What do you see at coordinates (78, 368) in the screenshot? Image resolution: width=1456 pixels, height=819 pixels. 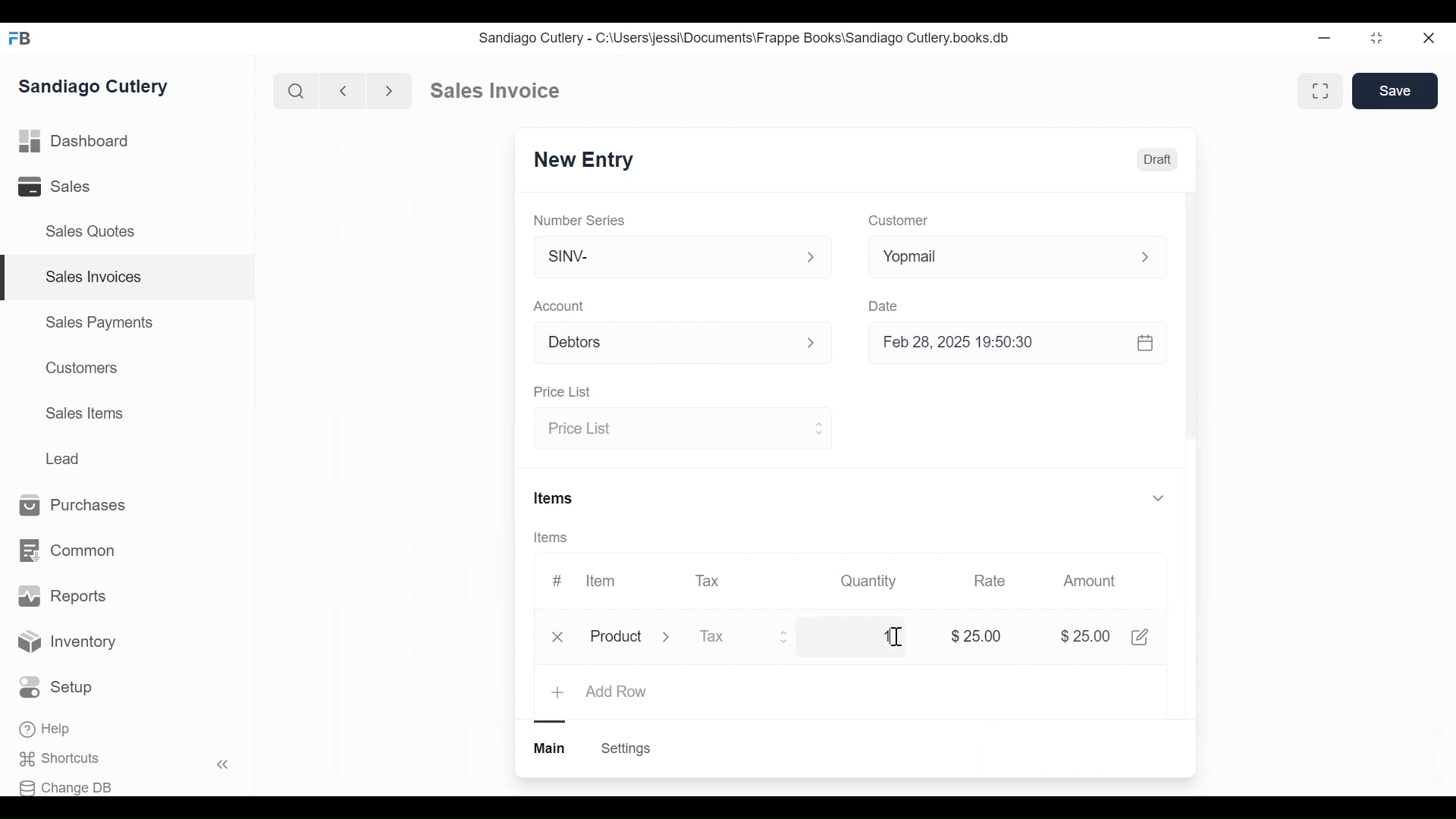 I see `Customers` at bounding box center [78, 368].